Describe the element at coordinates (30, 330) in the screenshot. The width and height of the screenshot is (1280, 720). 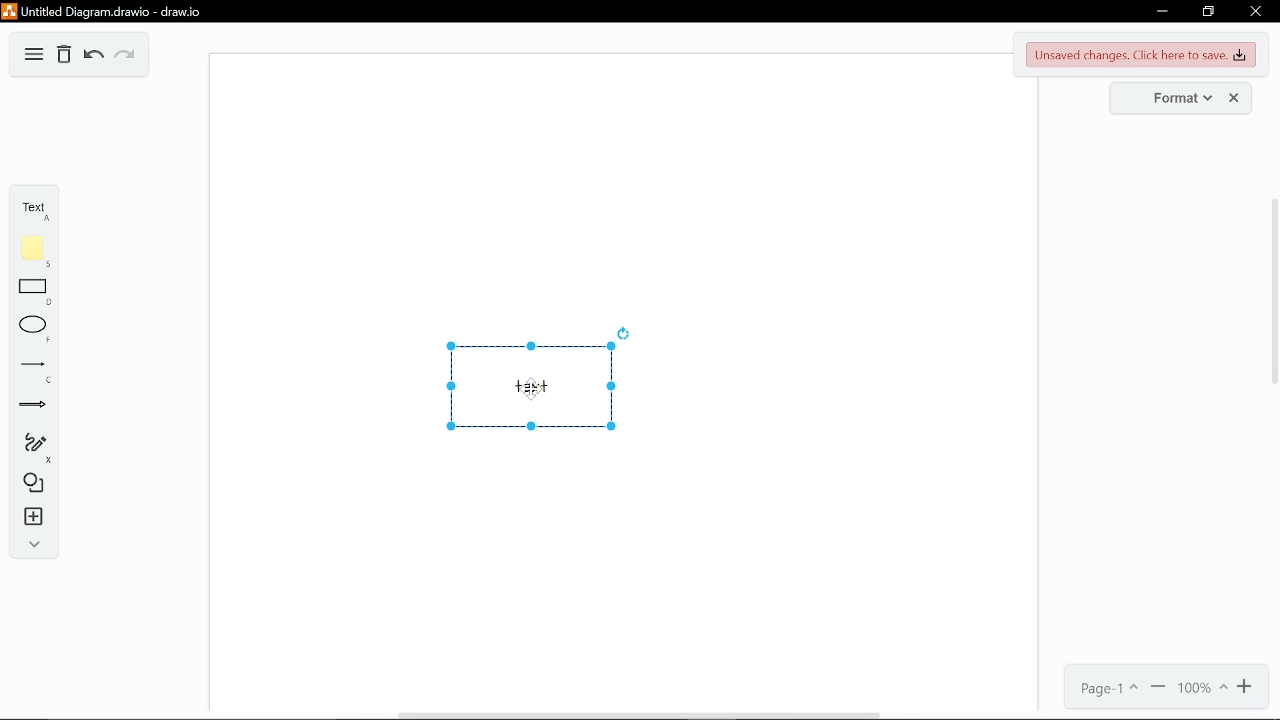
I see `ellipse` at that location.